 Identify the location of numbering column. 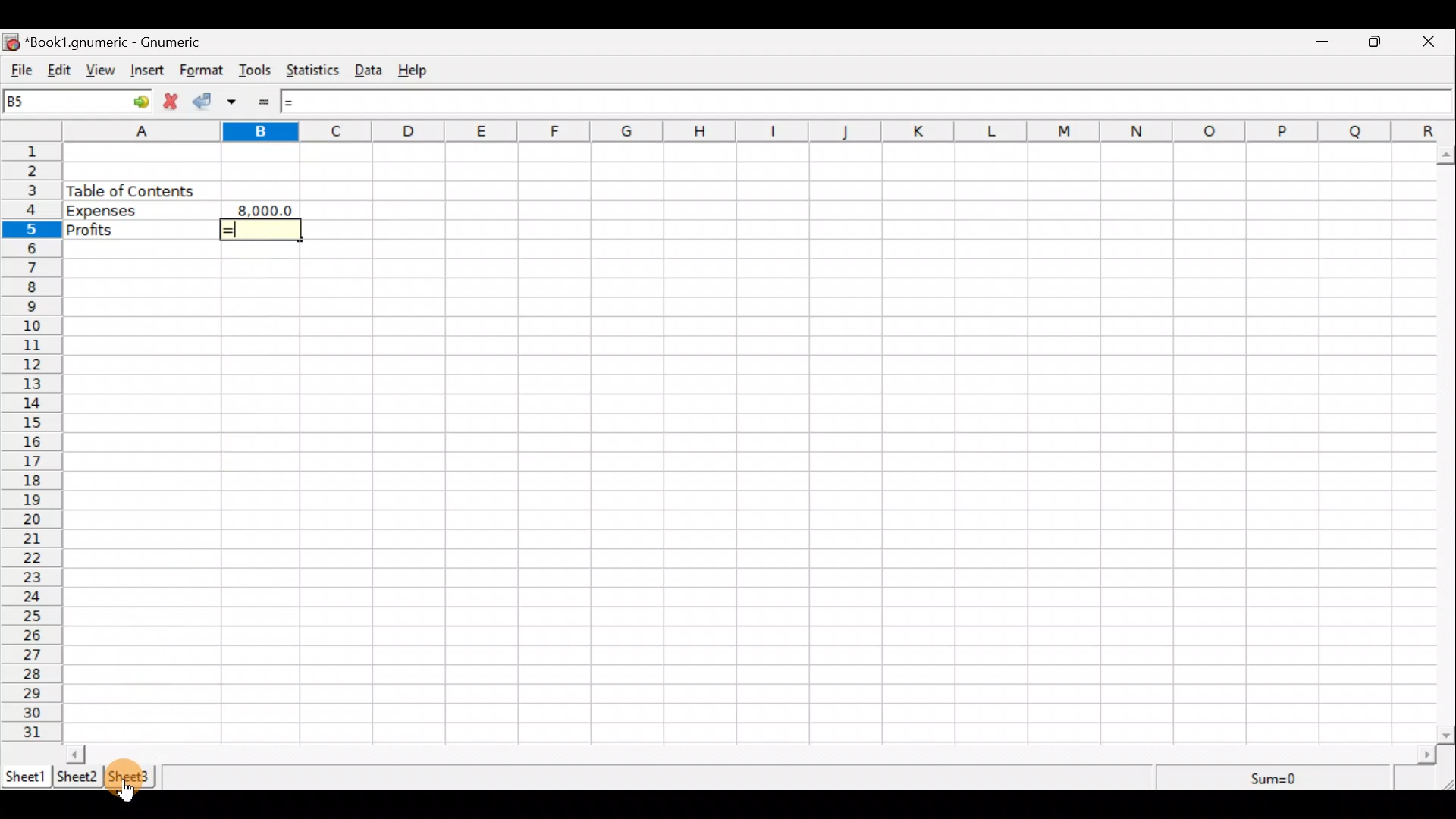
(30, 444).